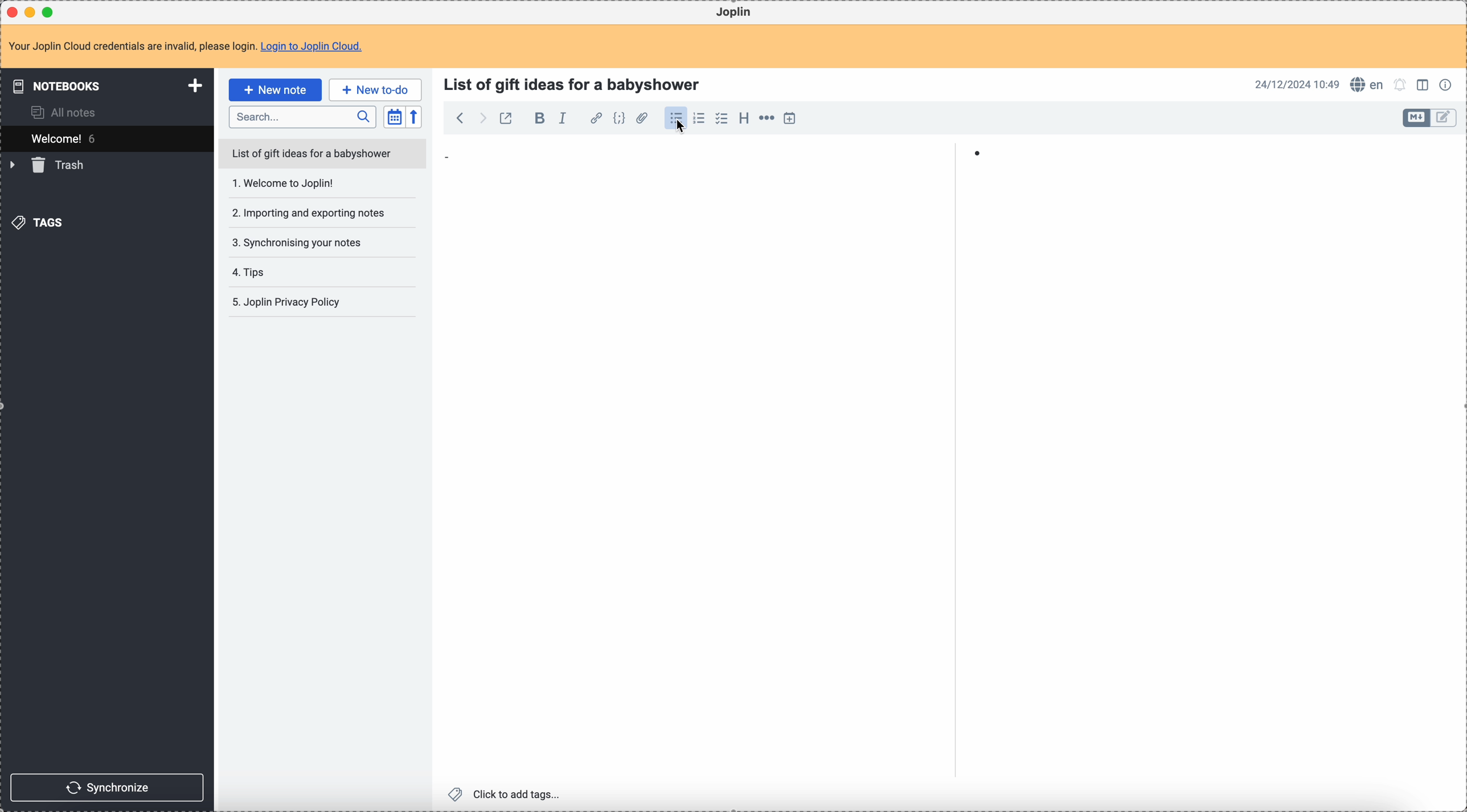 Image resolution: width=1467 pixels, height=812 pixels. Describe the element at coordinates (103, 87) in the screenshot. I see `notebooks` at that location.